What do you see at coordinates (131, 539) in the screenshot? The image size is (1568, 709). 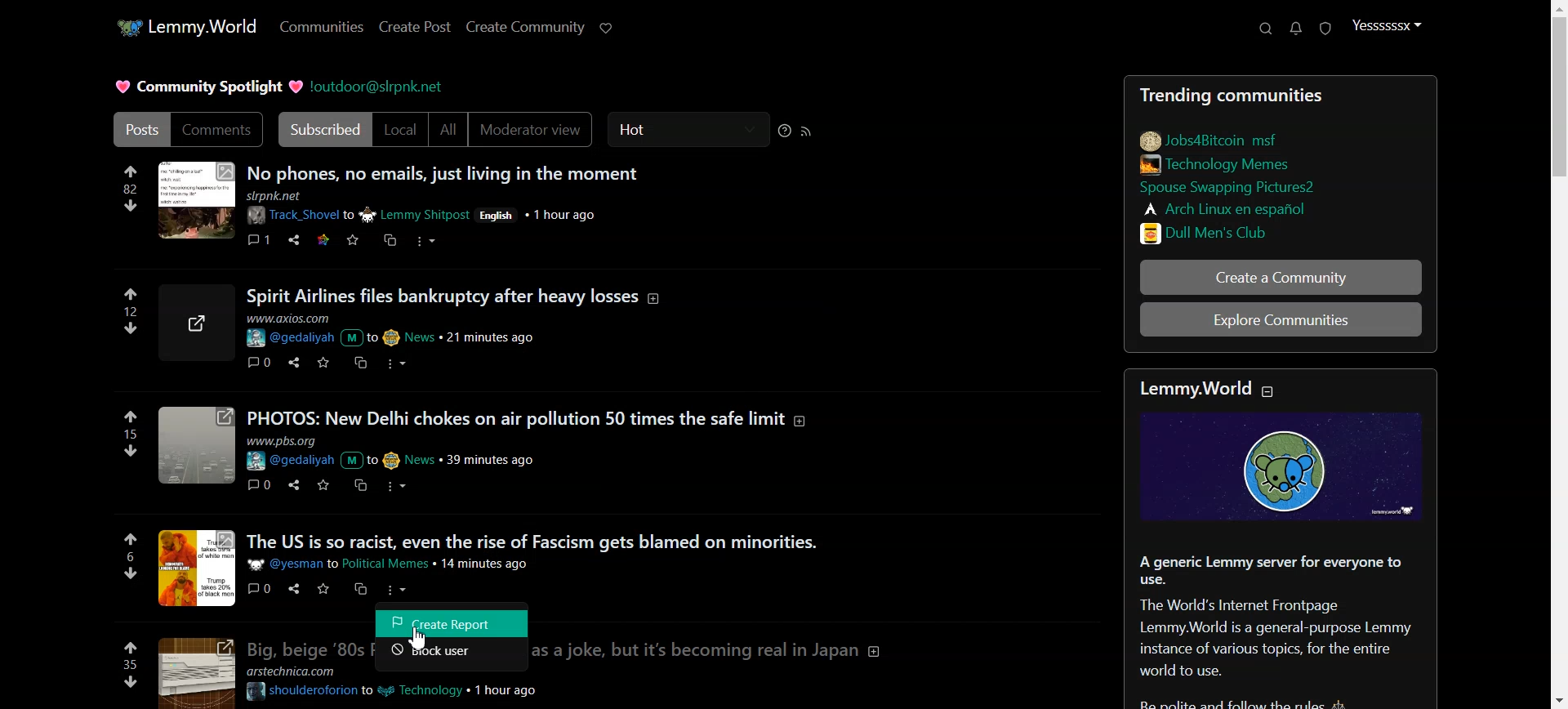 I see `upvote` at bounding box center [131, 539].